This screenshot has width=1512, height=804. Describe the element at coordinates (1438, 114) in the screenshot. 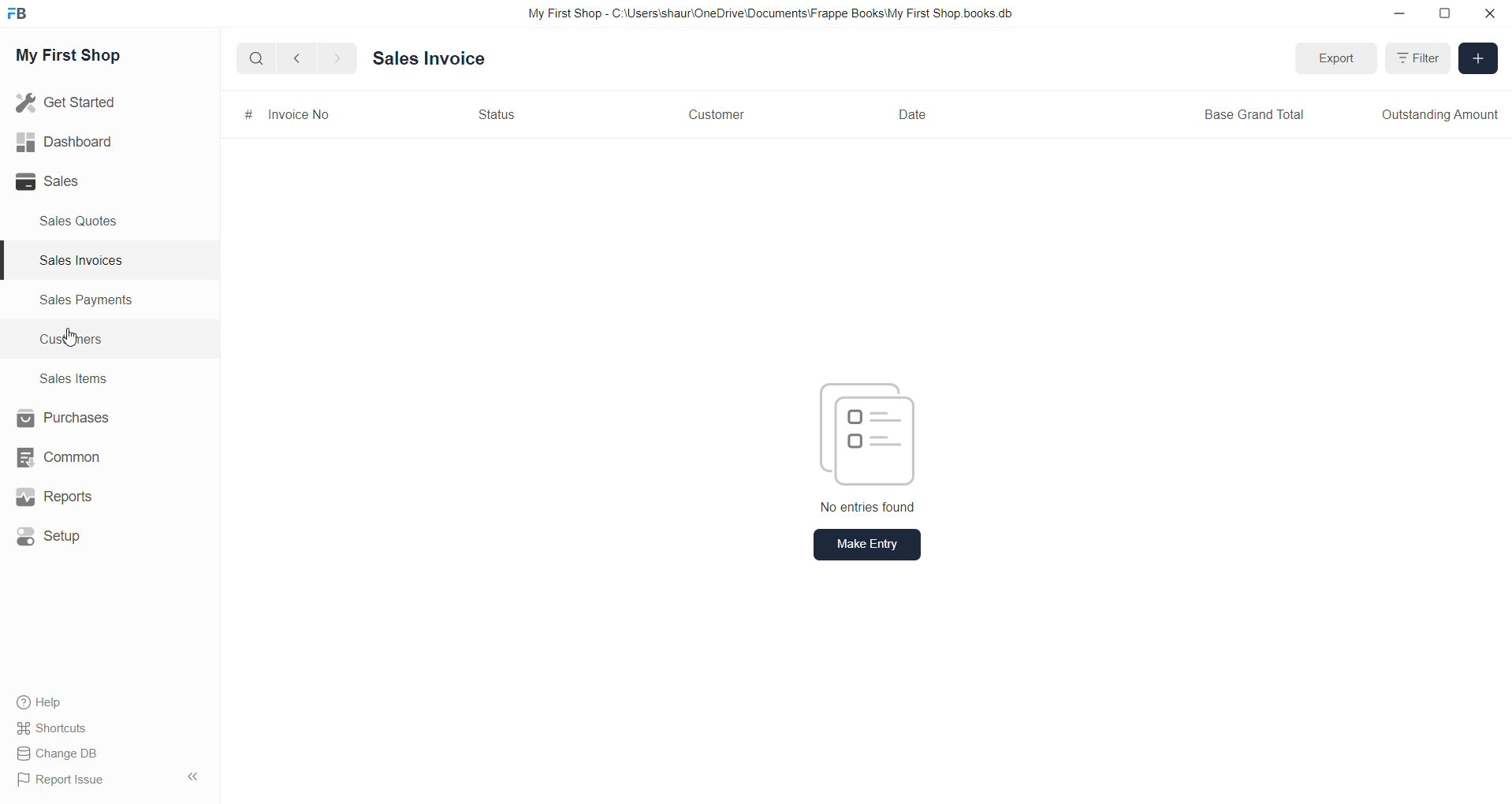

I see `Outstanding Amount` at that location.